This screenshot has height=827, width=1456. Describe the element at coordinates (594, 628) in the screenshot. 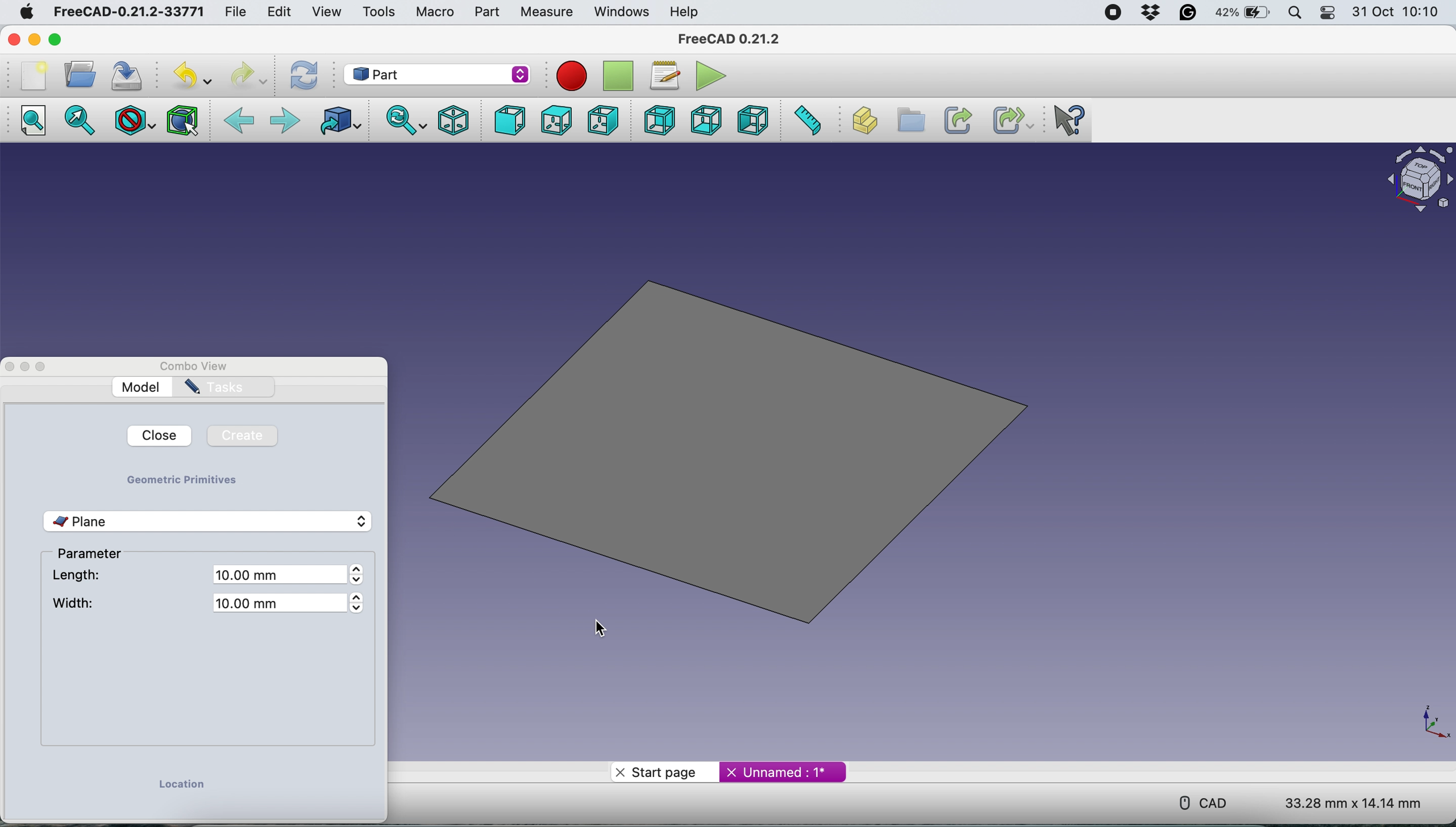

I see `cursor` at that location.